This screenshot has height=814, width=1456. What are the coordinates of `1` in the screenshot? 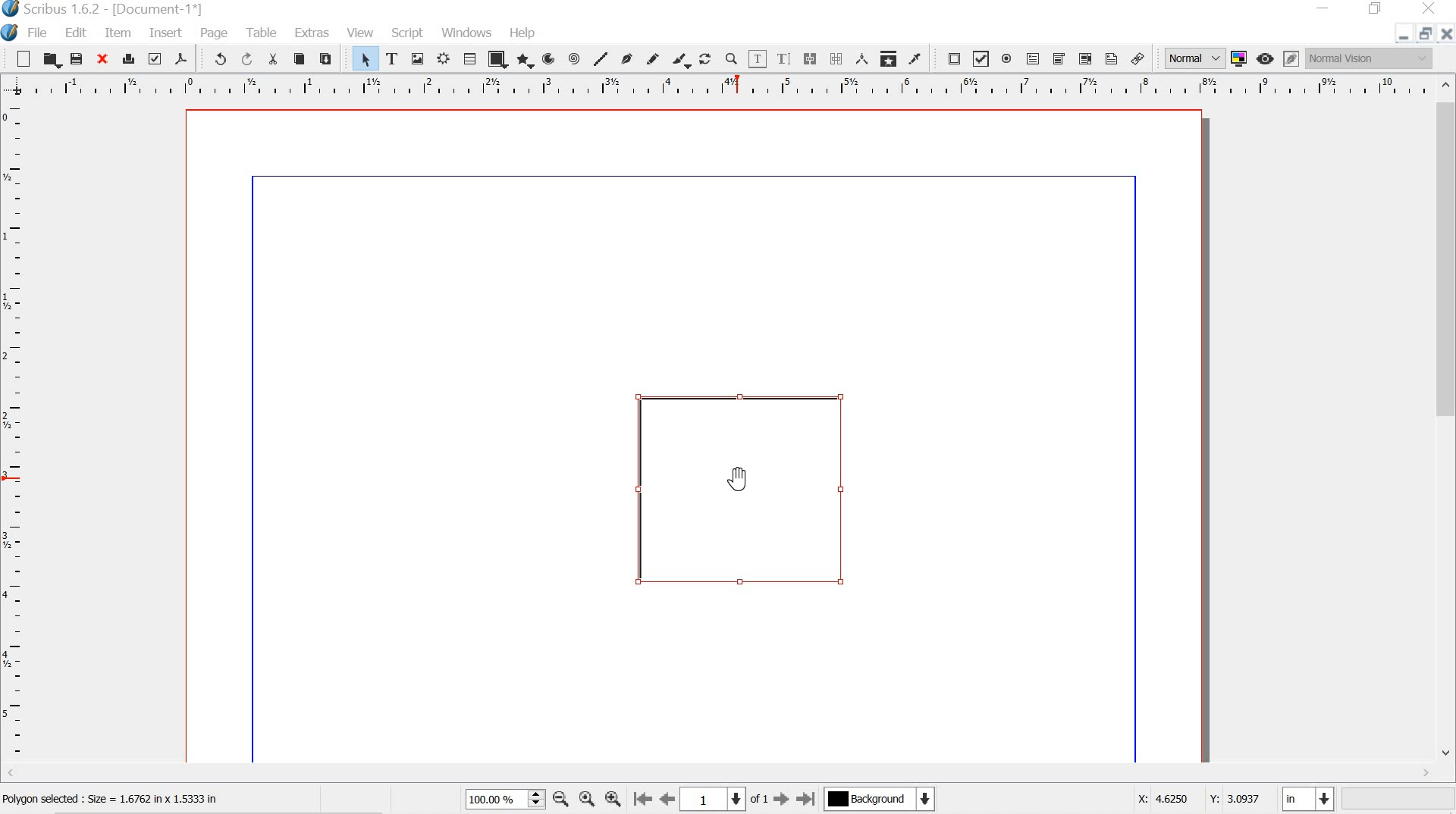 It's located at (714, 798).